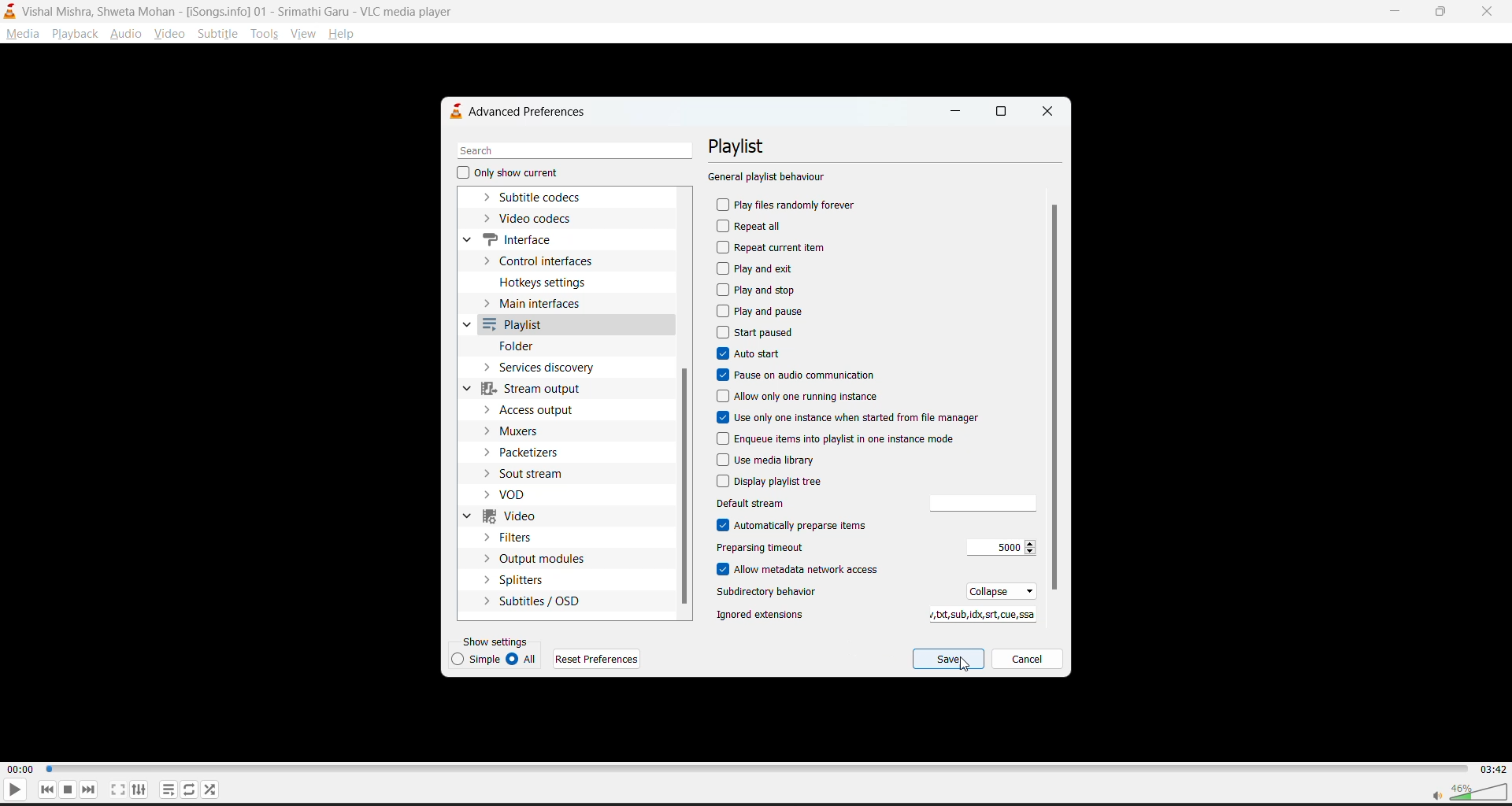  What do you see at coordinates (524, 241) in the screenshot?
I see `interface` at bounding box center [524, 241].